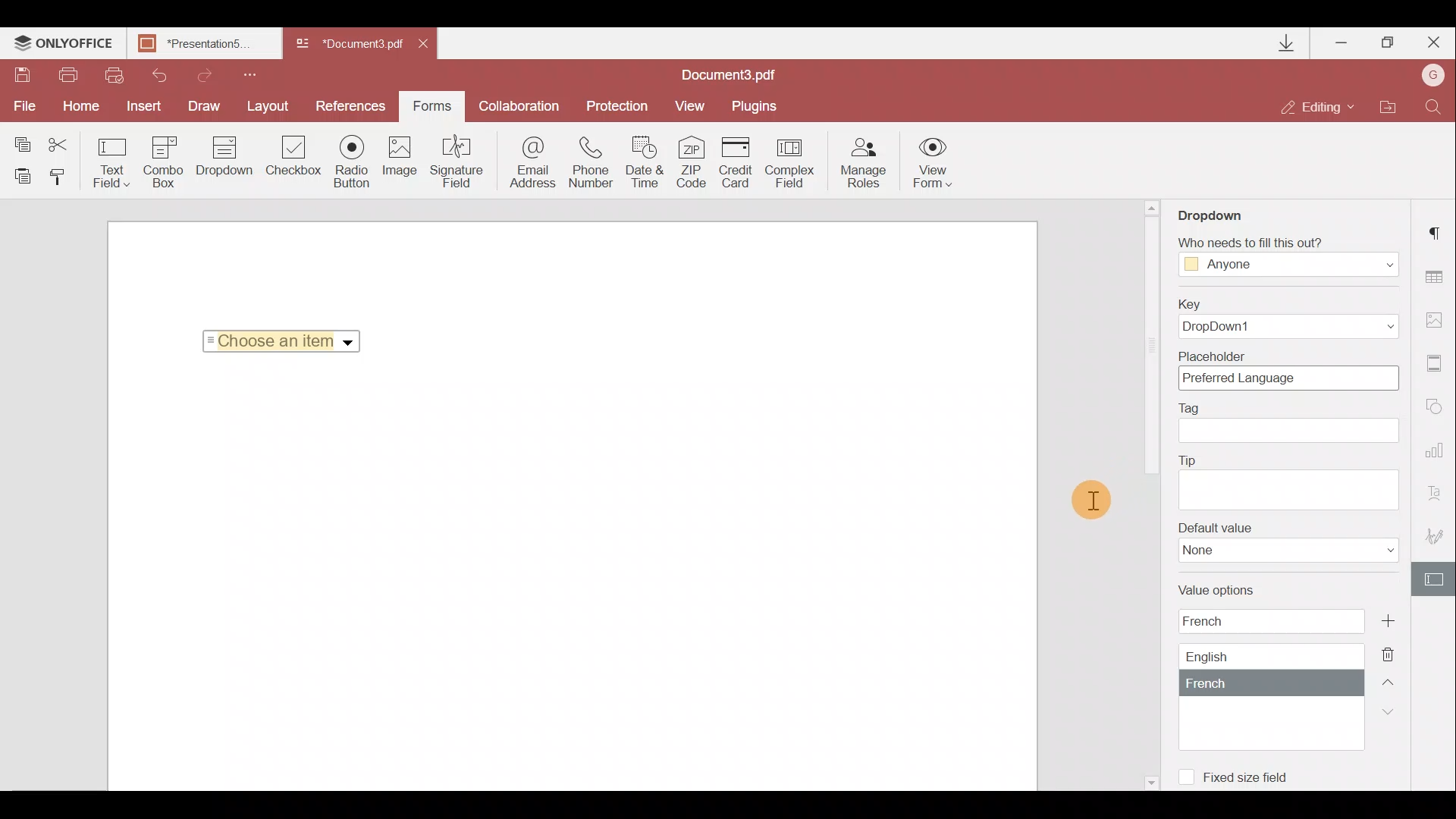 Image resolution: width=1456 pixels, height=819 pixels. Describe the element at coordinates (349, 45) in the screenshot. I see `Document3.pdf` at that location.